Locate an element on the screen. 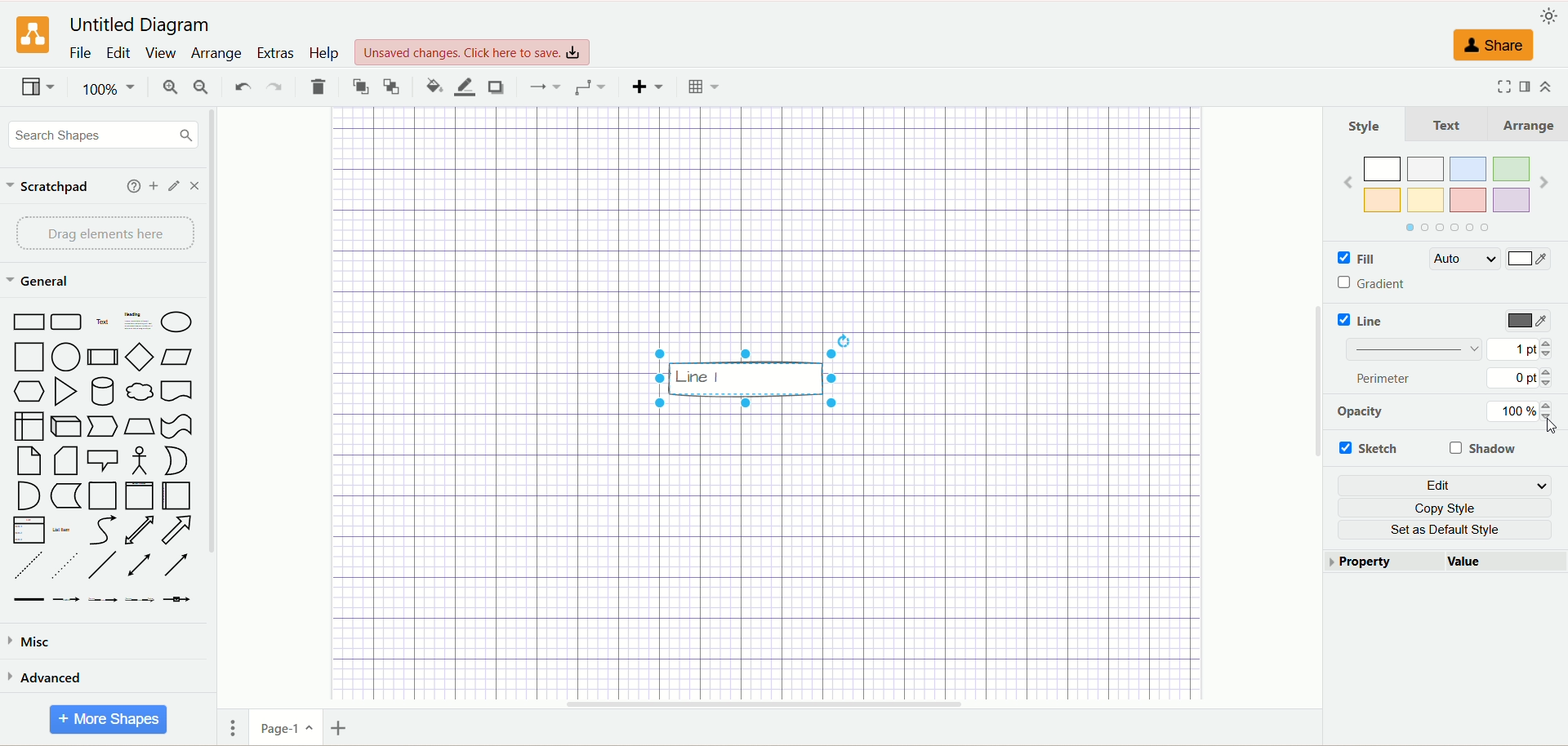 Image resolution: width=1568 pixels, height=746 pixels. edit is located at coordinates (172, 186).